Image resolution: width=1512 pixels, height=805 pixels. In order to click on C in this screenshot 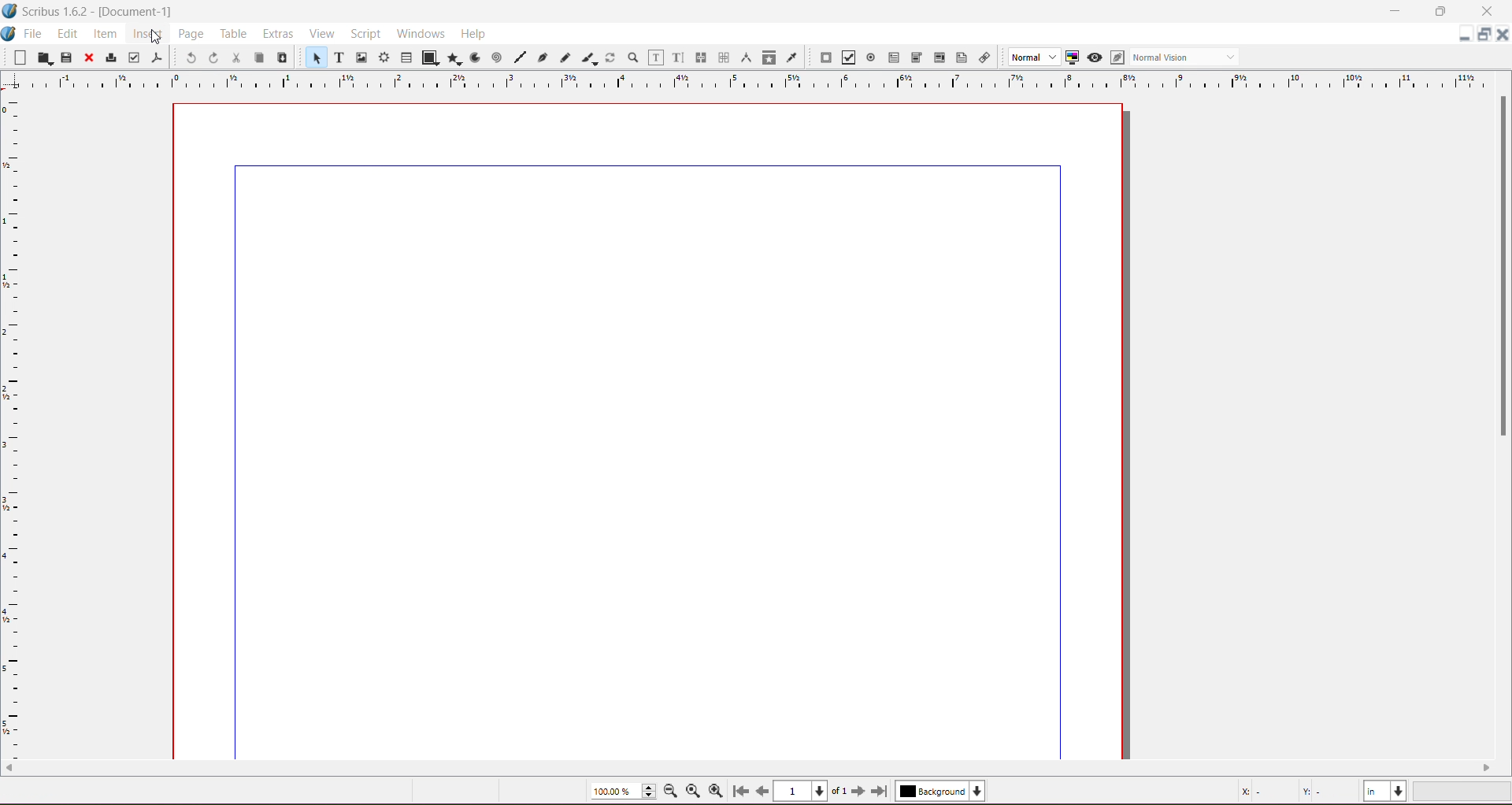, I will do `click(1486, 12)`.